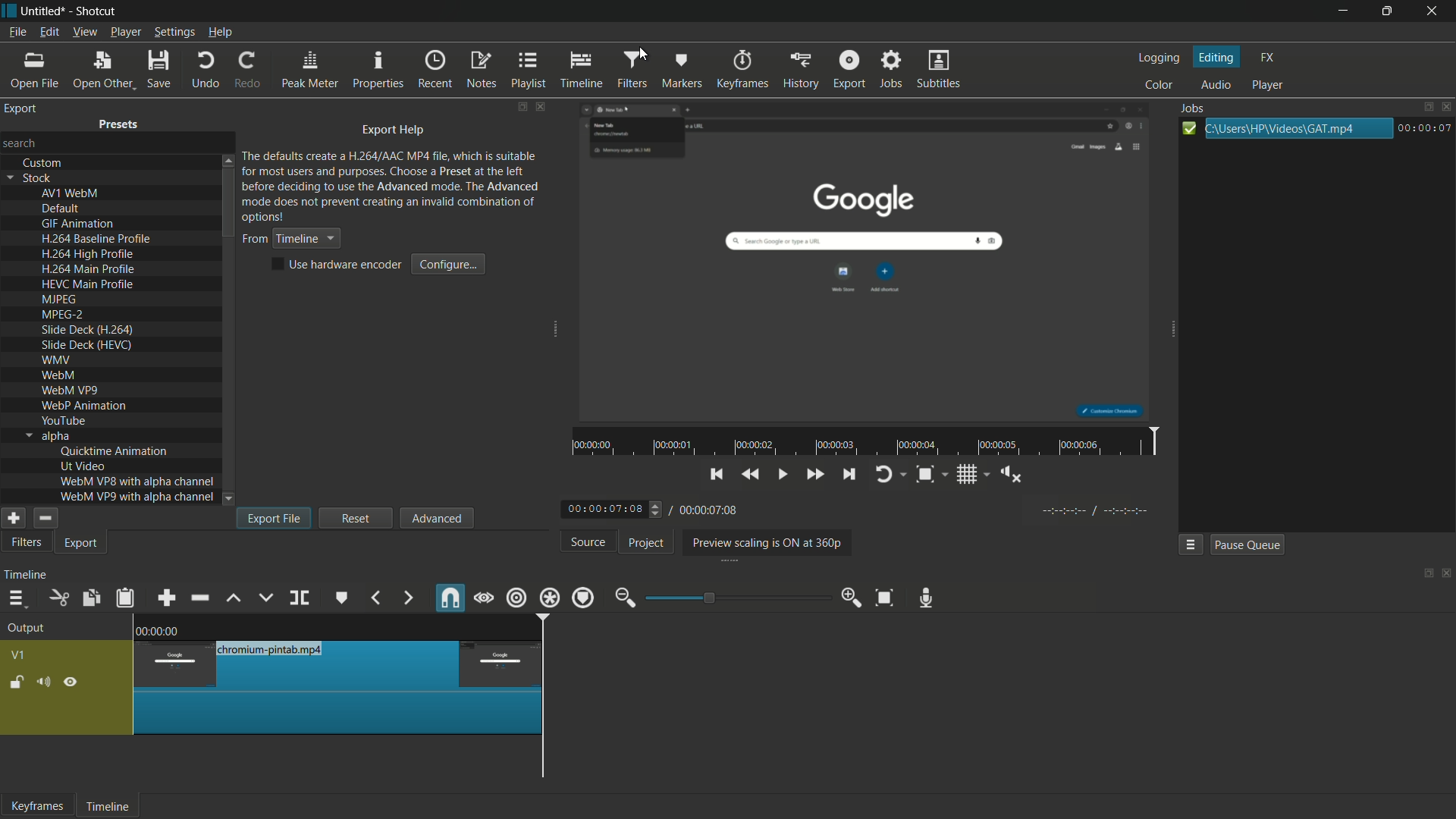 Image resolution: width=1456 pixels, height=819 pixels. What do you see at coordinates (248, 69) in the screenshot?
I see `redo` at bounding box center [248, 69].